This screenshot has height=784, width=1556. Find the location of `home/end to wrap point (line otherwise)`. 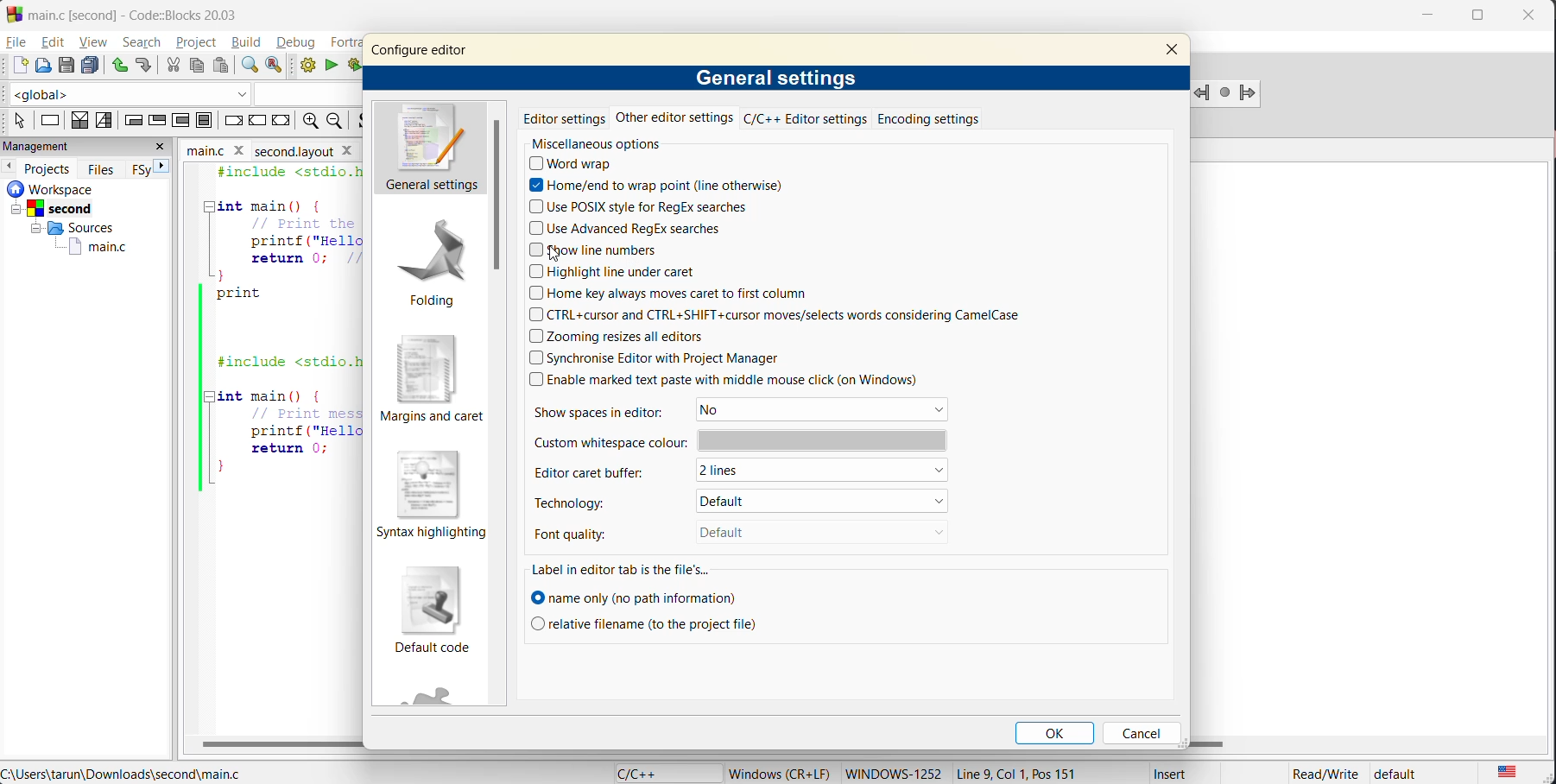

home/end to wrap point (line otherwise) is located at coordinates (655, 185).